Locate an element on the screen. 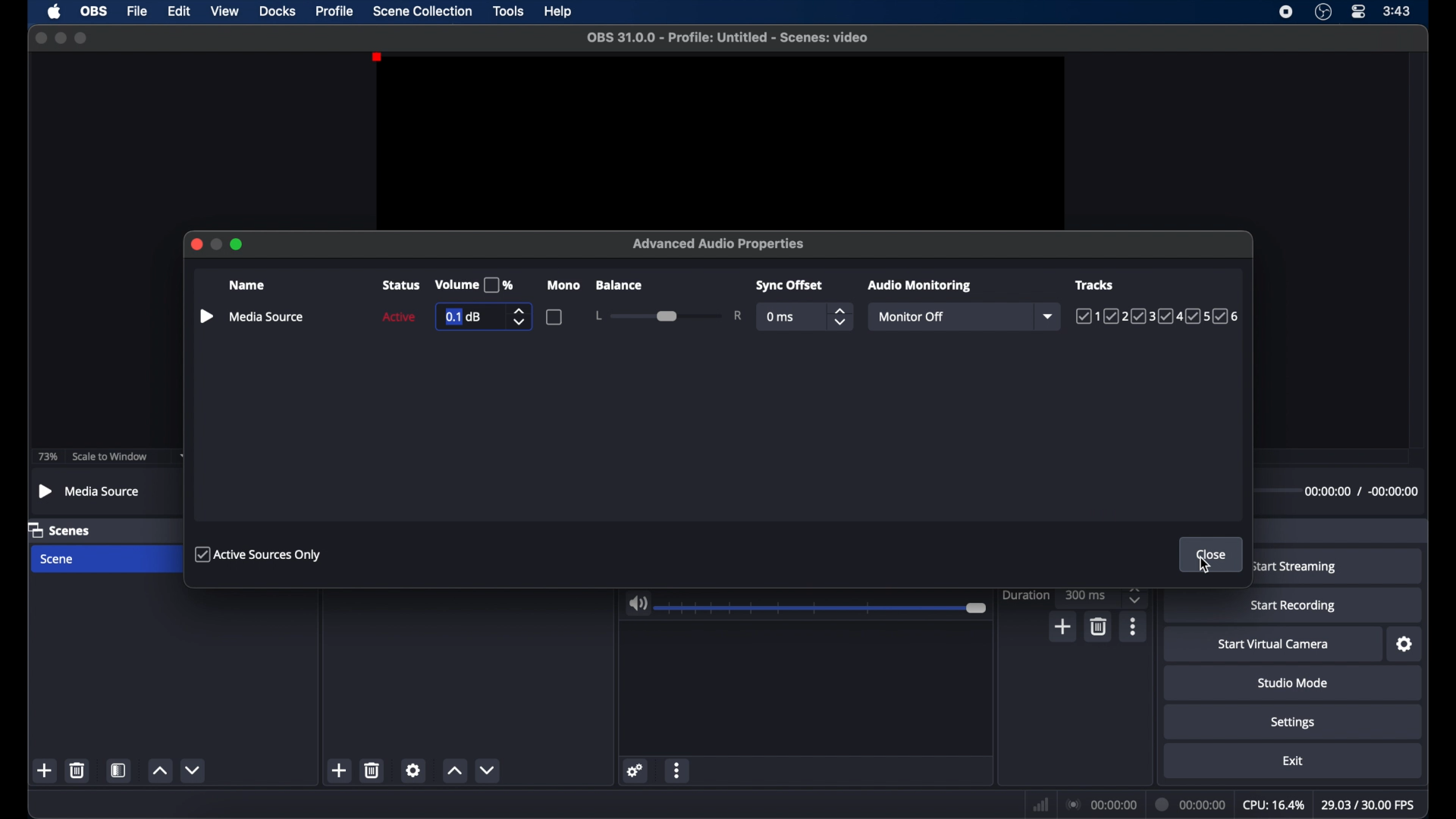 This screenshot has height=819, width=1456. Media Source is located at coordinates (90, 492).